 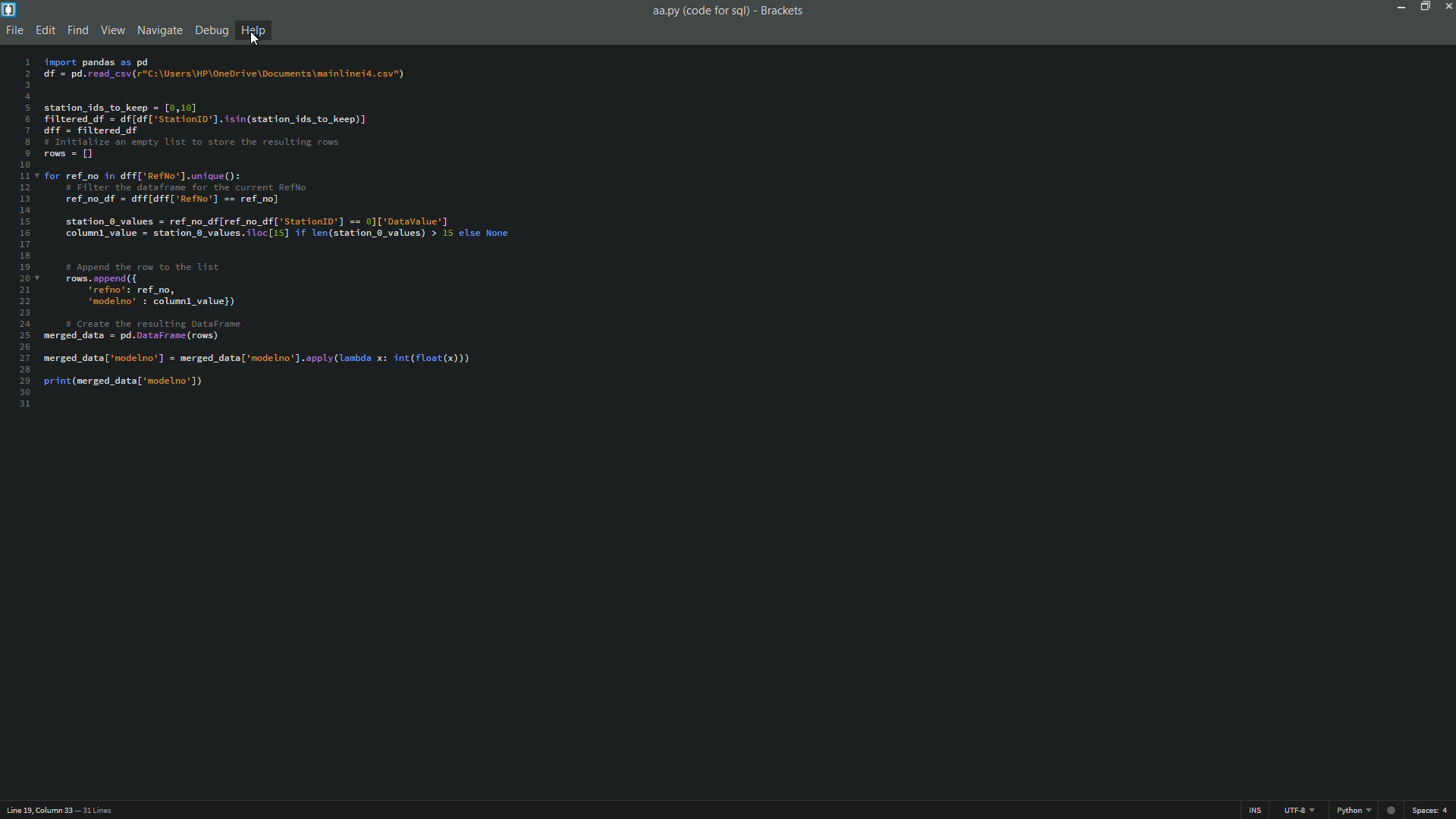 What do you see at coordinates (45, 30) in the screenshot?
I see `edit menu` at bounding box center [45, 30].